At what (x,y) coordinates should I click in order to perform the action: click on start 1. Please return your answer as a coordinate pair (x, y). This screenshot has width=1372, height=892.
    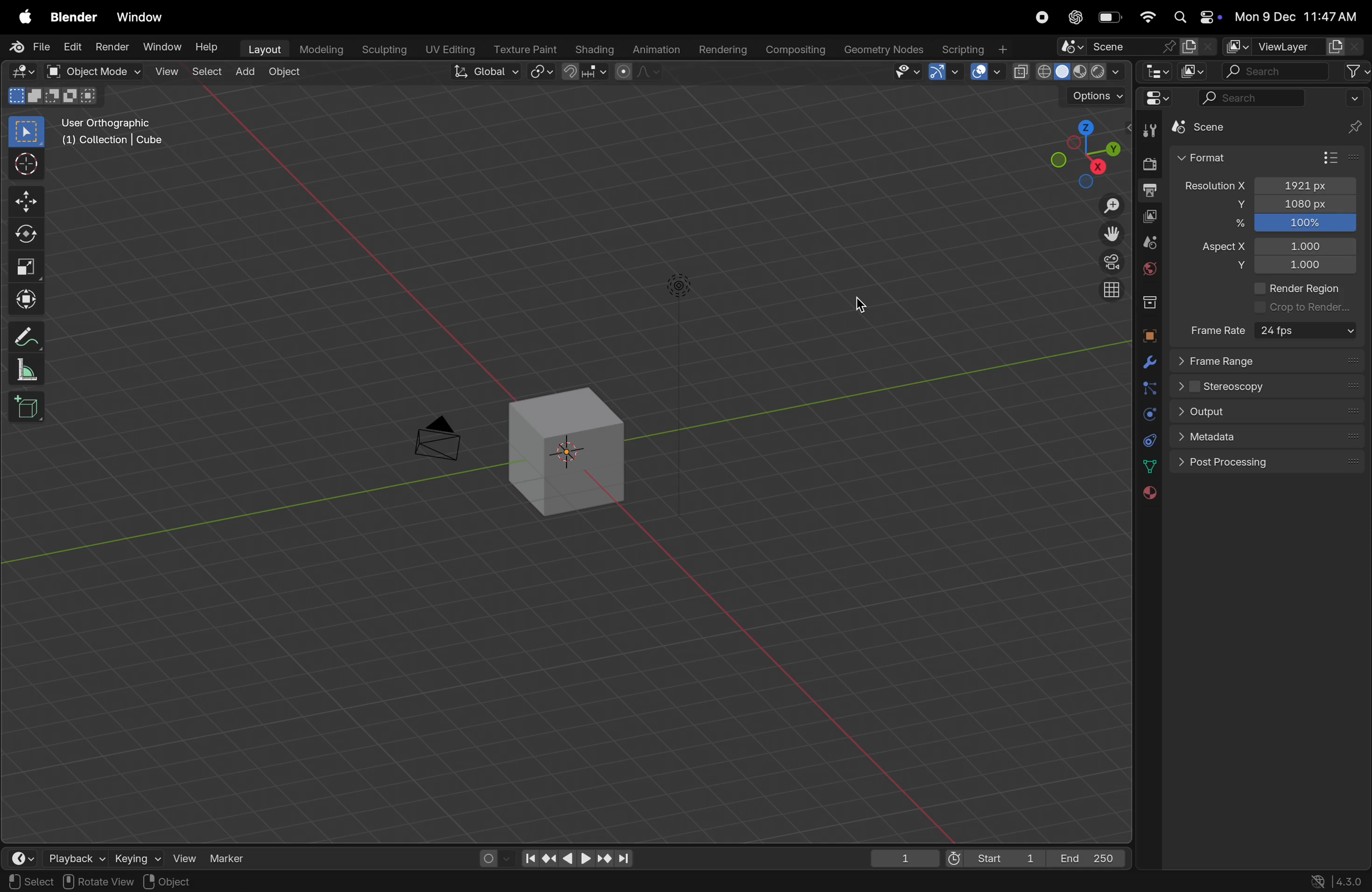
    Looking at the image, I should click on (993, 857).